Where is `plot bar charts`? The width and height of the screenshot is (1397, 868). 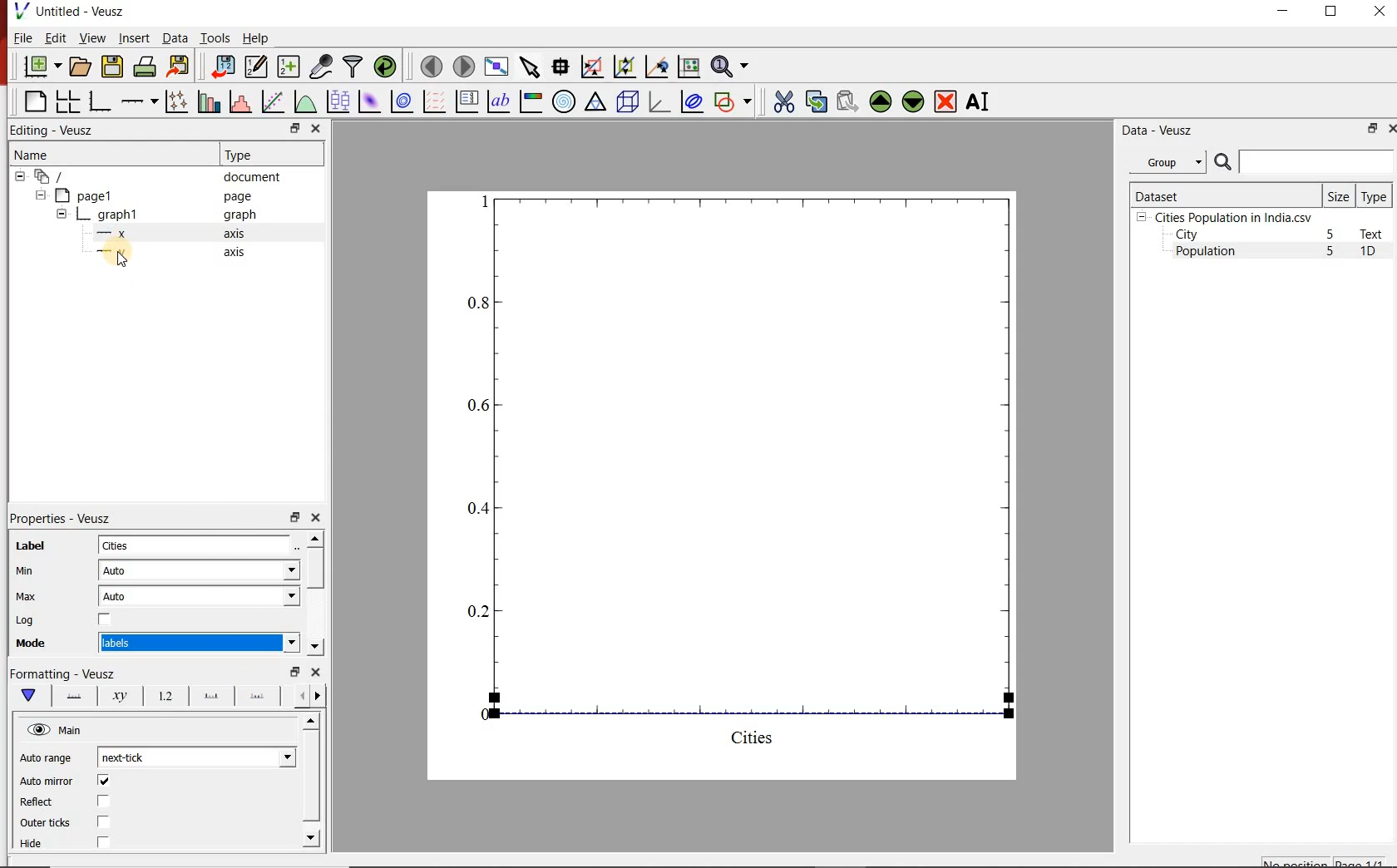
plot bar charts is located at coordinates (206, 101).